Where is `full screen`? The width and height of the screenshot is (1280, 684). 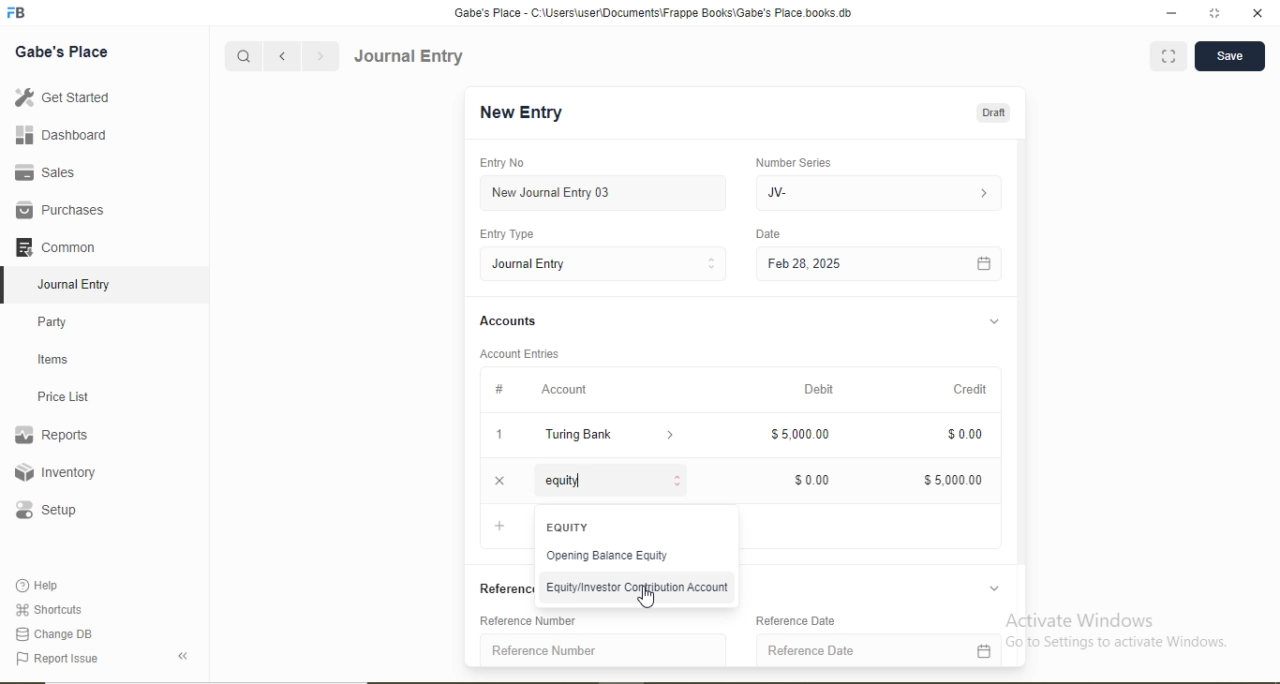 full screen is located at coordinates (1215, 13).